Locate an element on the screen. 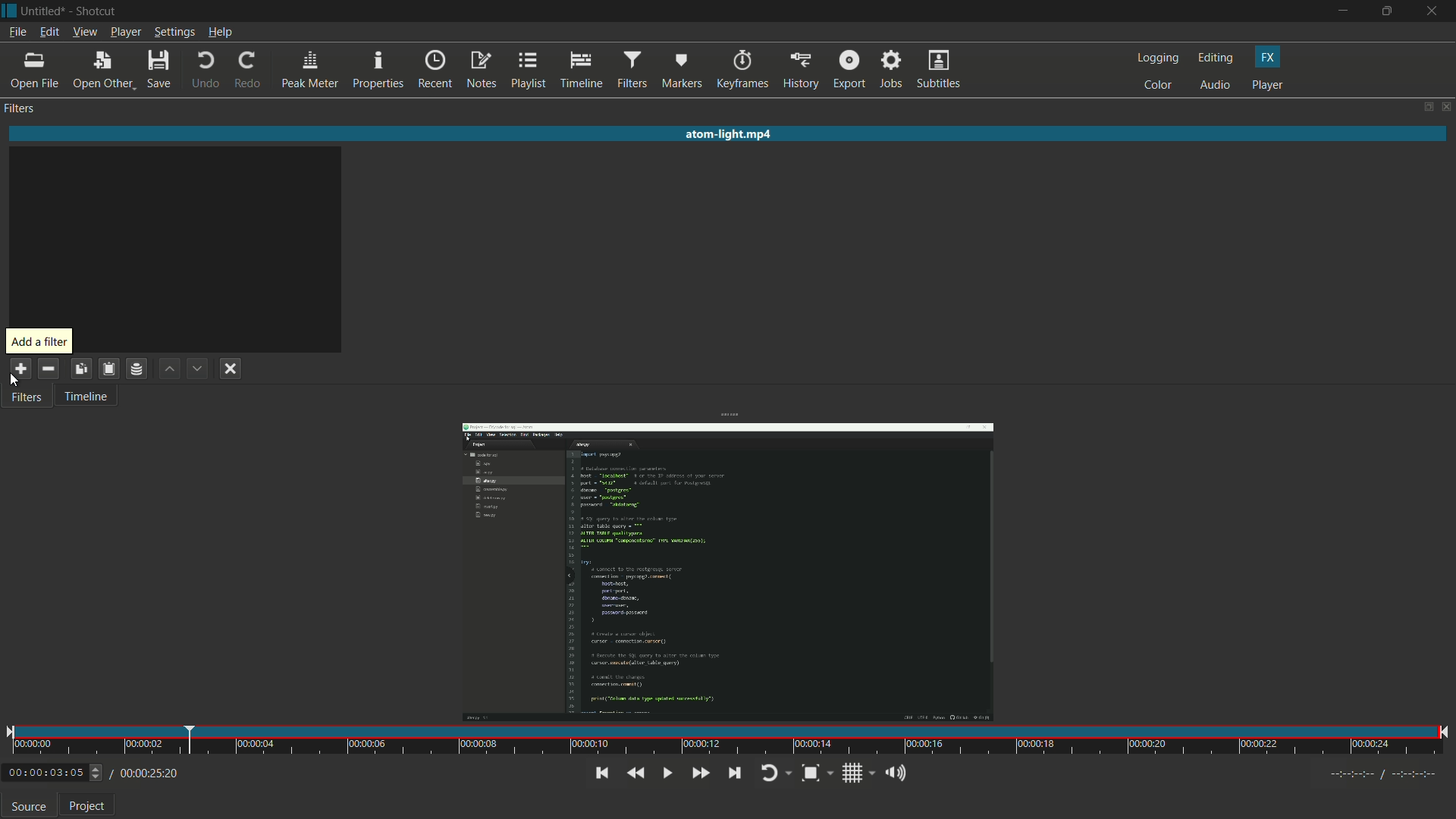  history is located at coordinates (800, 71).